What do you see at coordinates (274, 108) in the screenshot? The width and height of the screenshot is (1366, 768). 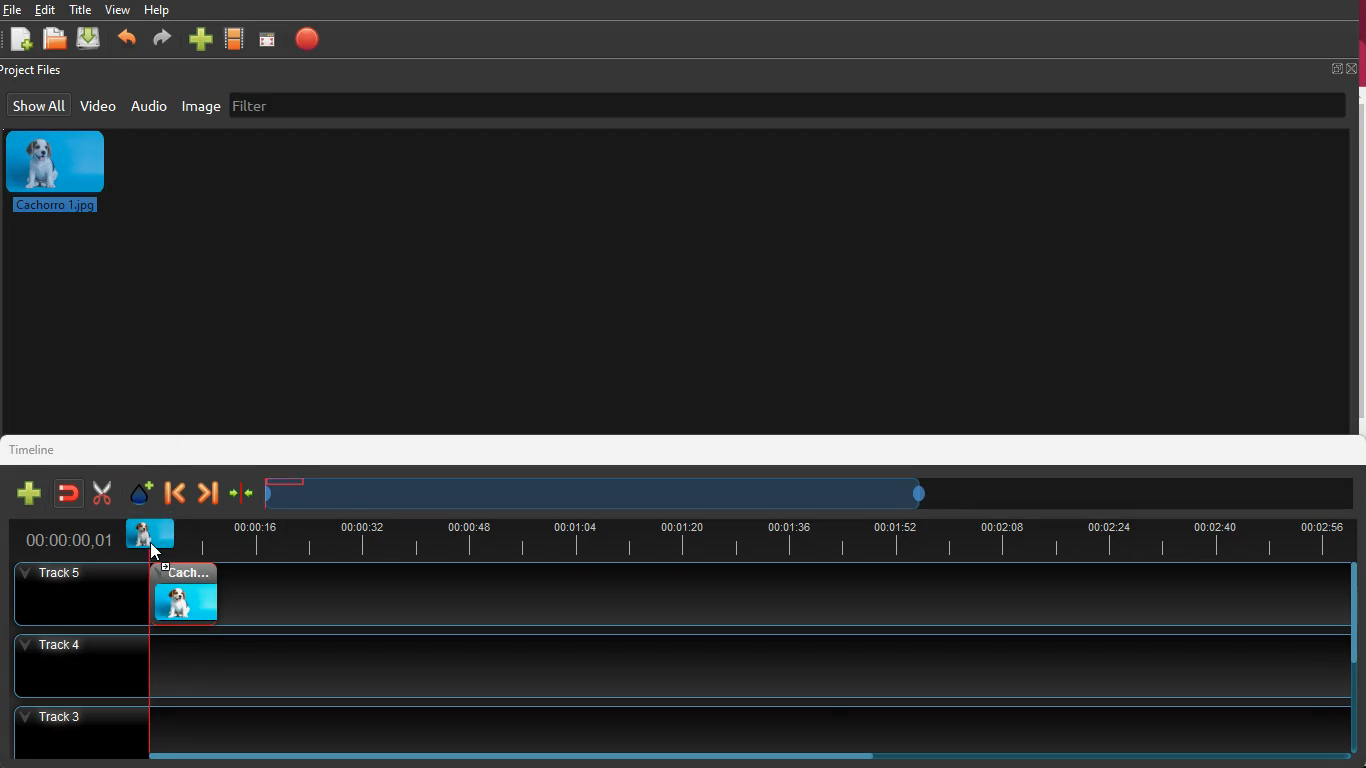 I see `filter` at bounding box center [274, 108].